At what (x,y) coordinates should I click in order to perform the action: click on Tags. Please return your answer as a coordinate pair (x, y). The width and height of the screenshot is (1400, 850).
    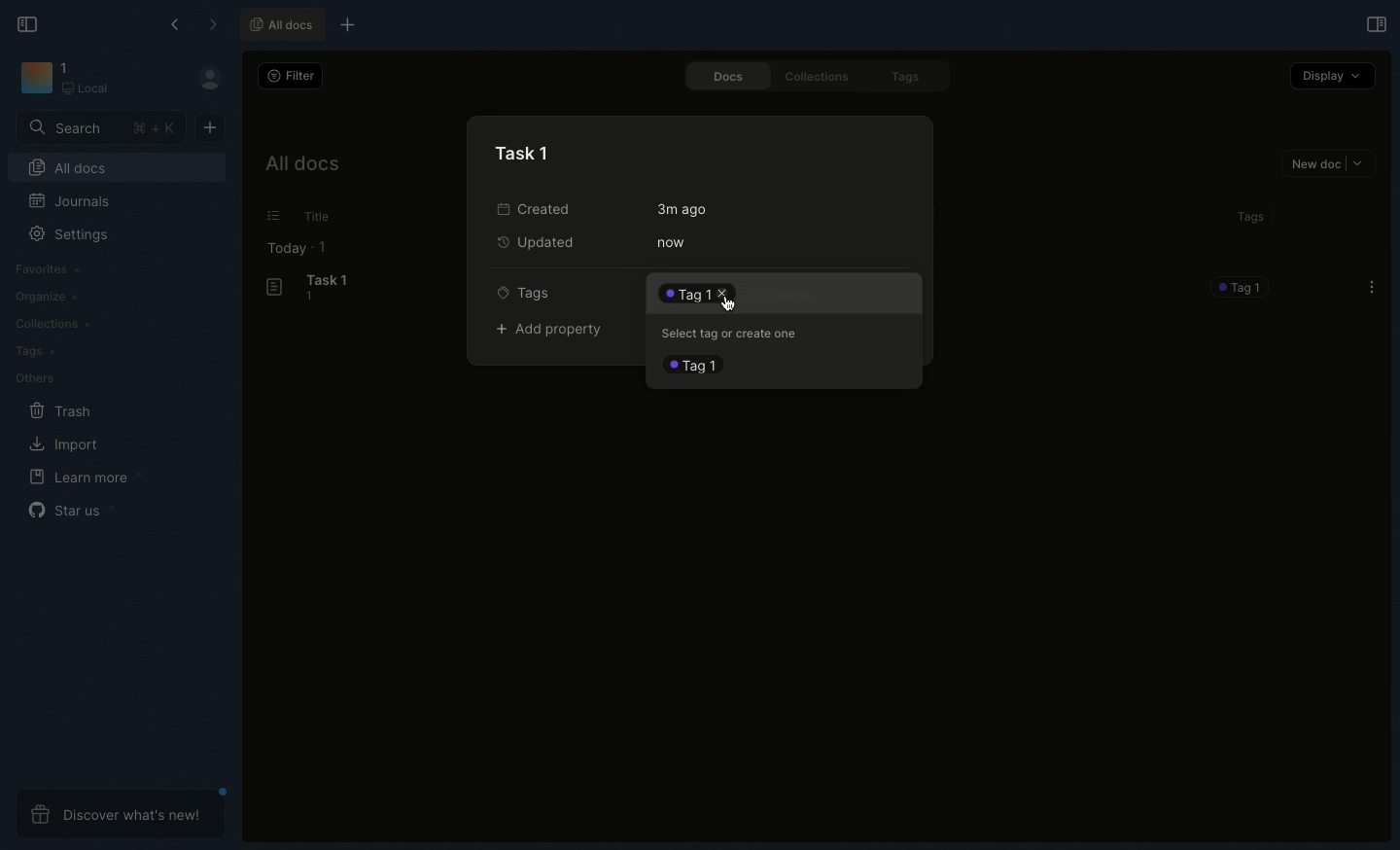
    Looking at the image, I should click on (912, 78).